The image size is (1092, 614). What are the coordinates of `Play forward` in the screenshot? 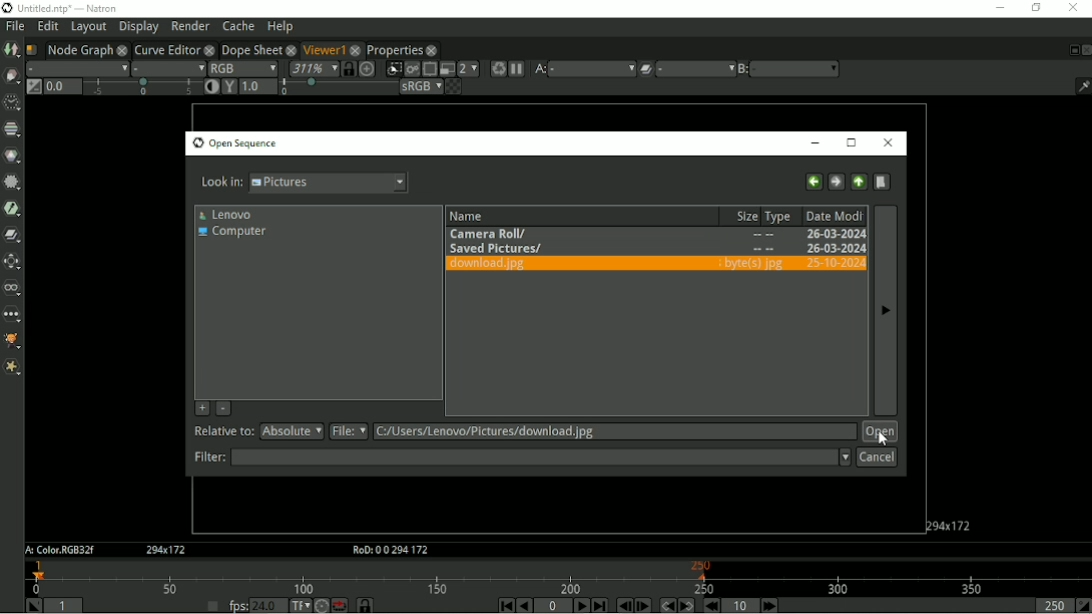 It's located at (580, 605).